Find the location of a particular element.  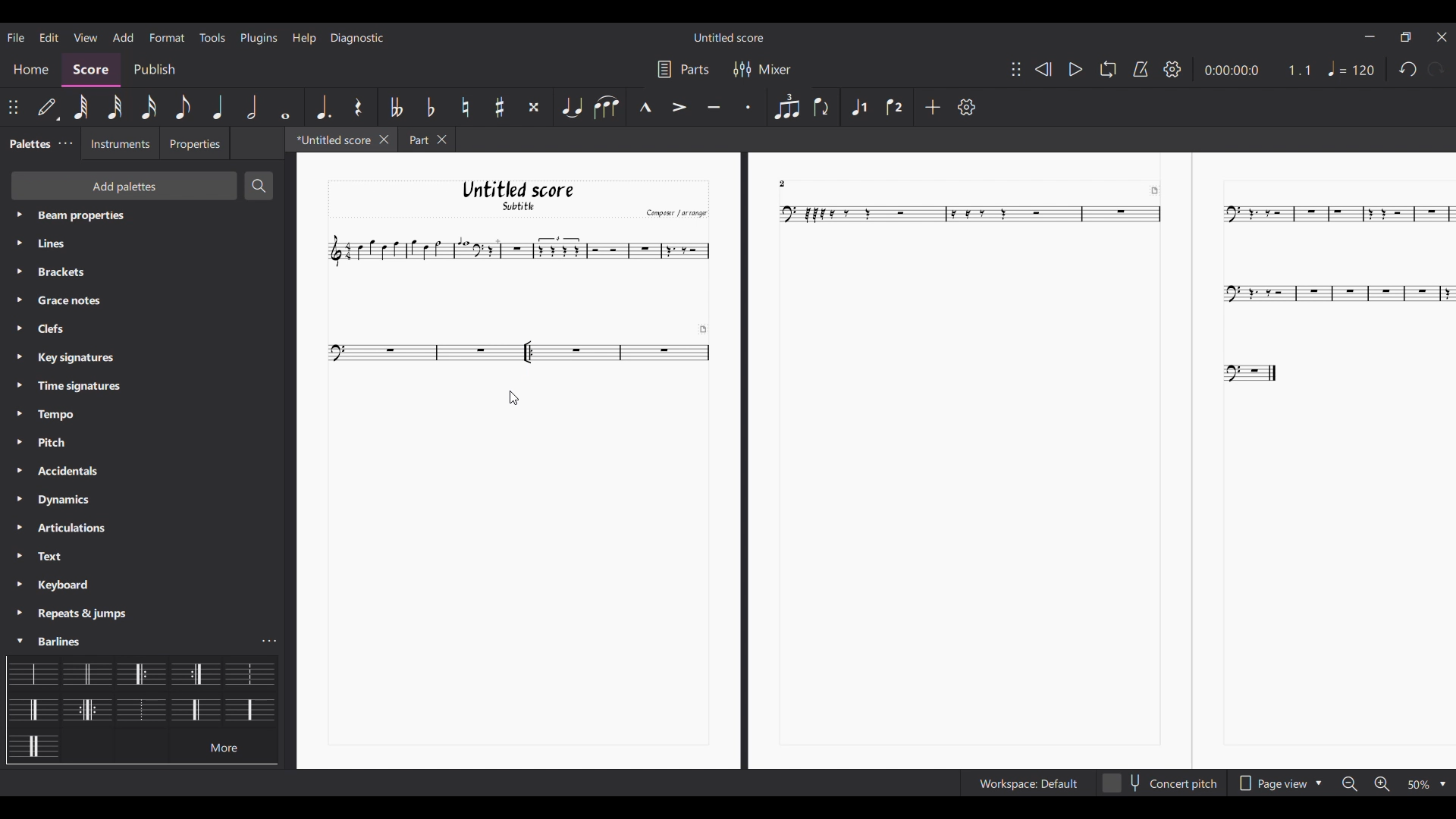

Edit menu is located at coordinates (49, 37).